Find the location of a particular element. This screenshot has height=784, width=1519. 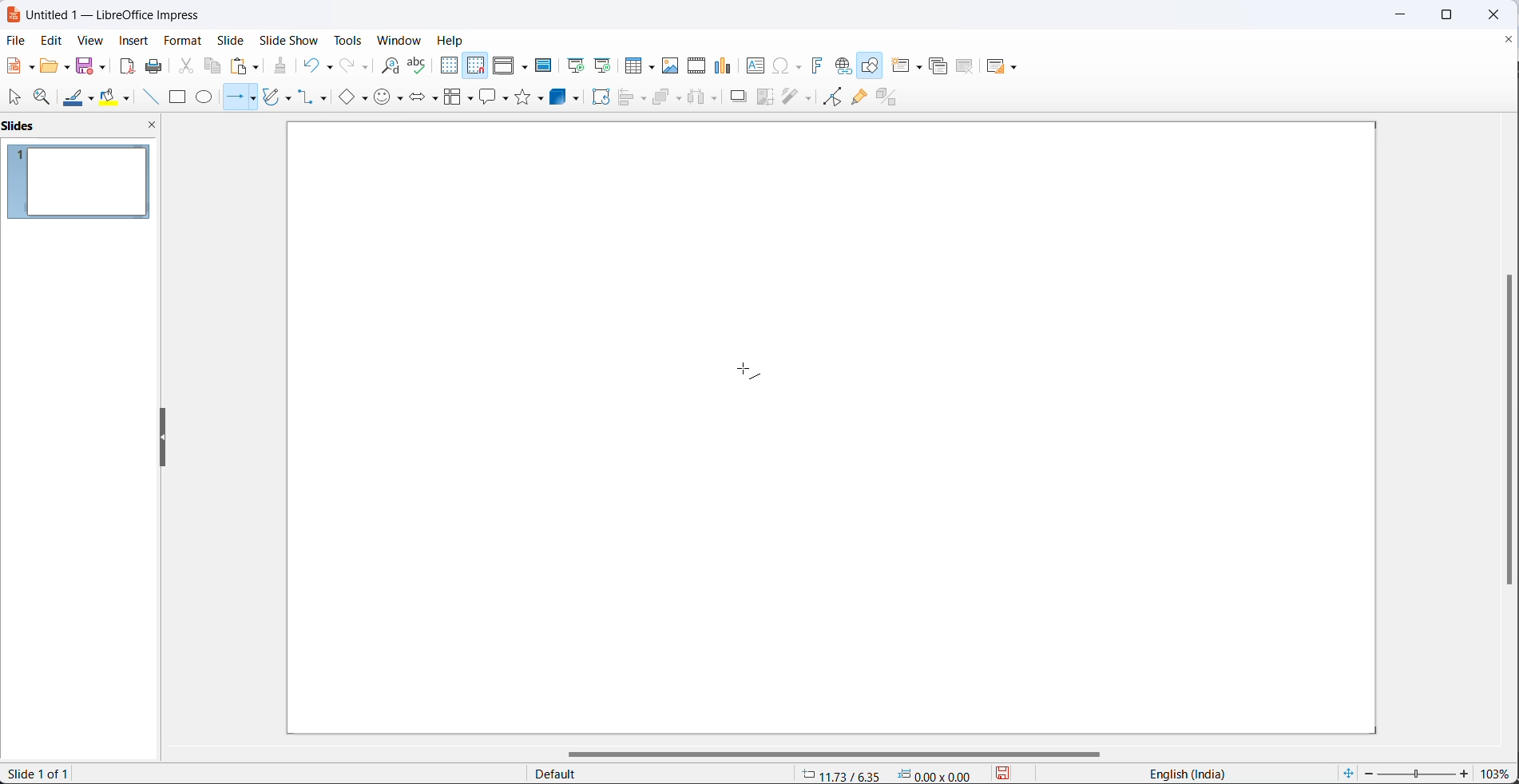

paste options is located at coordinates (245, 66).